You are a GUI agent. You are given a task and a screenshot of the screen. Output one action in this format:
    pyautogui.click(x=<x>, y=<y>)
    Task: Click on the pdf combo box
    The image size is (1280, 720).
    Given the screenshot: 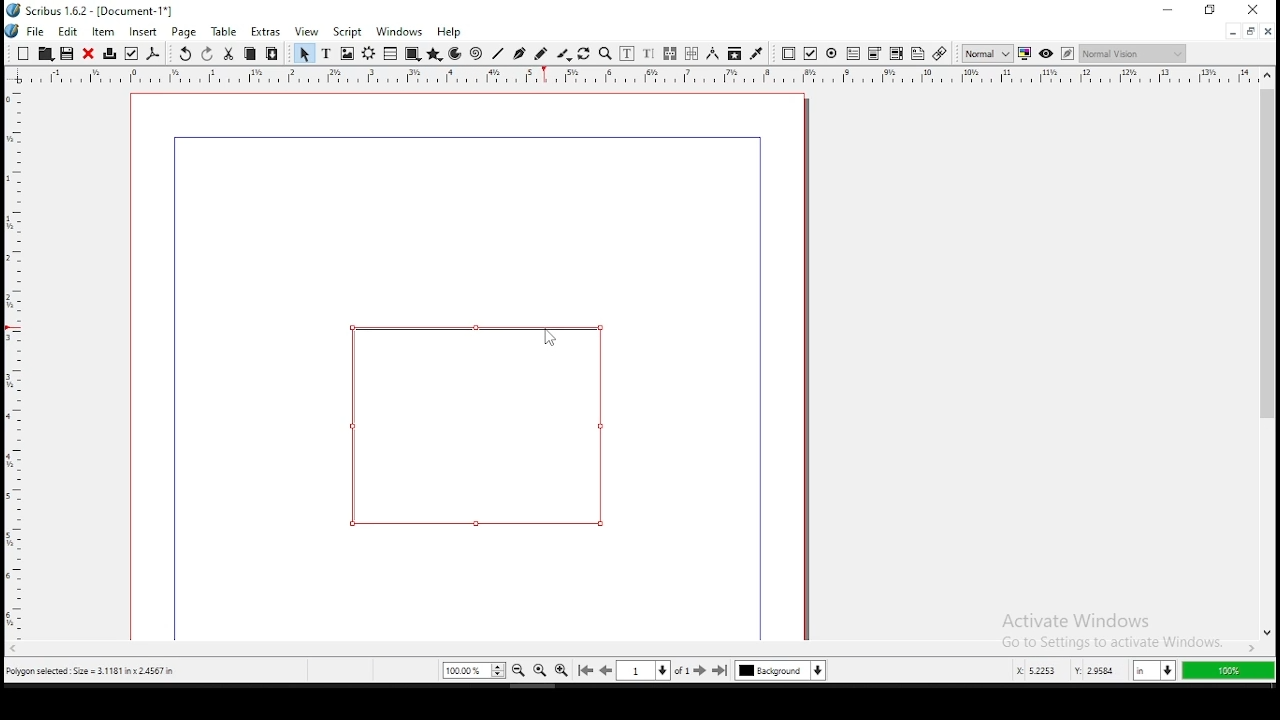 What is the action you would take?
    pyautogui.click(x=896, y=54)
    